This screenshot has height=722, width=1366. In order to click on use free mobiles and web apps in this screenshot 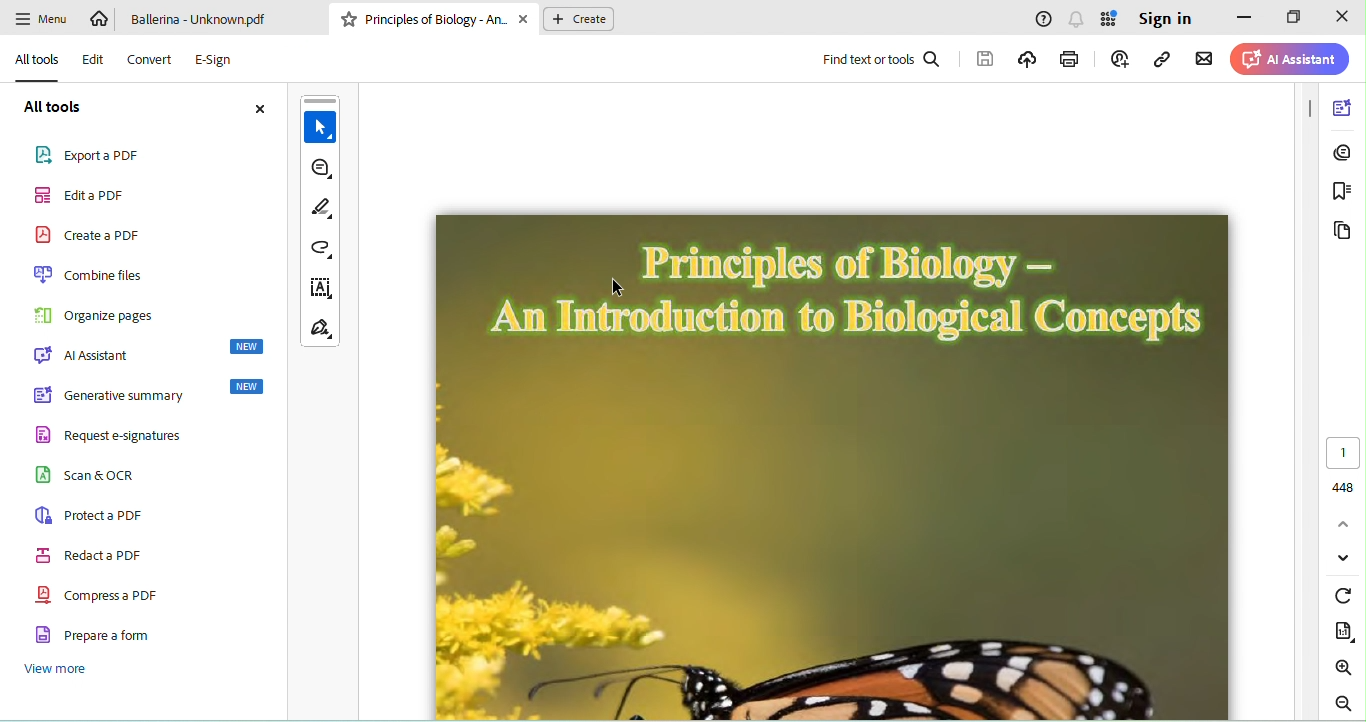, I will do `click(1110, 20)`.